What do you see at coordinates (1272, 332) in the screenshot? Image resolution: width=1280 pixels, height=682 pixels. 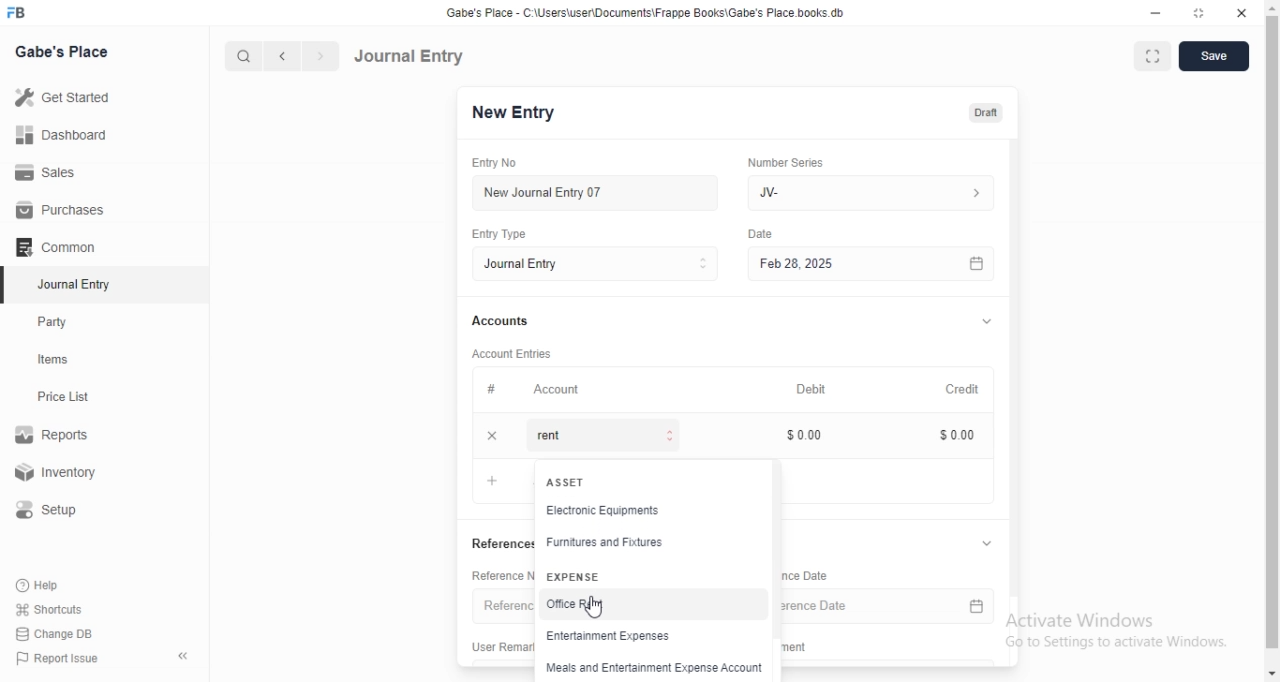 I see `scrollbar` at bounding box center [1272, 332].